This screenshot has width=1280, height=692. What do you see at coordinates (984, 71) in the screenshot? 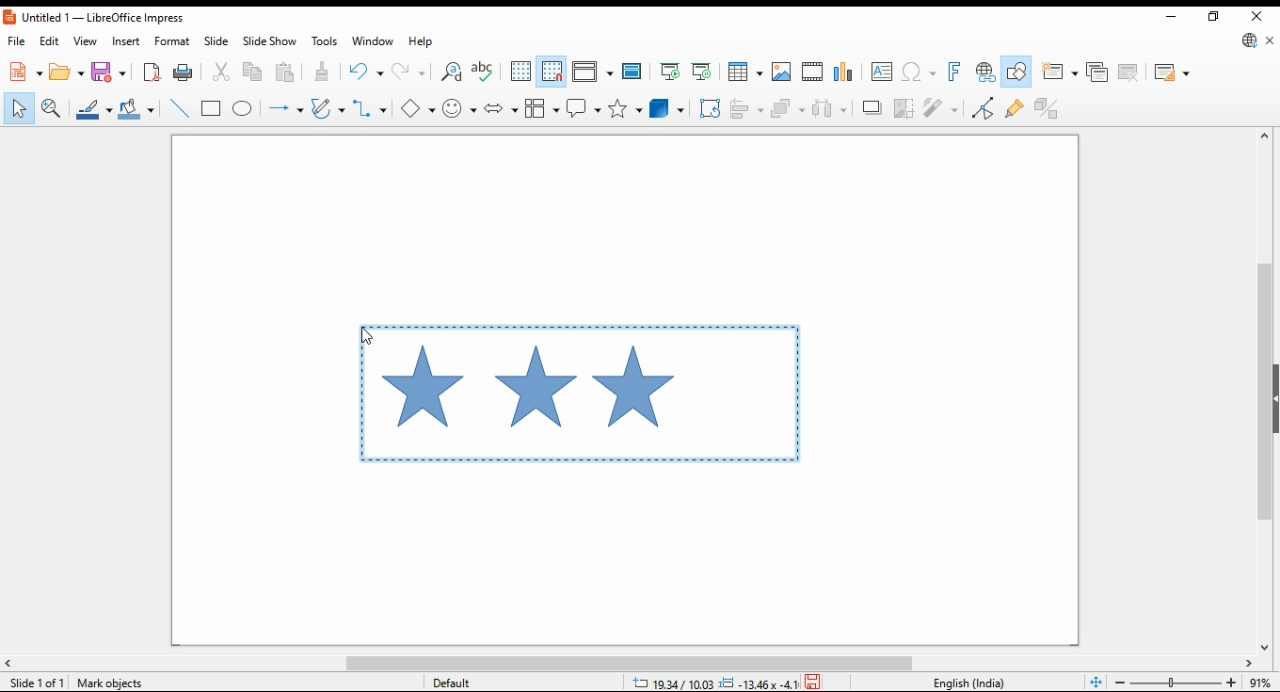
I see `insert hyperlink` at bounding box center [984, 71].